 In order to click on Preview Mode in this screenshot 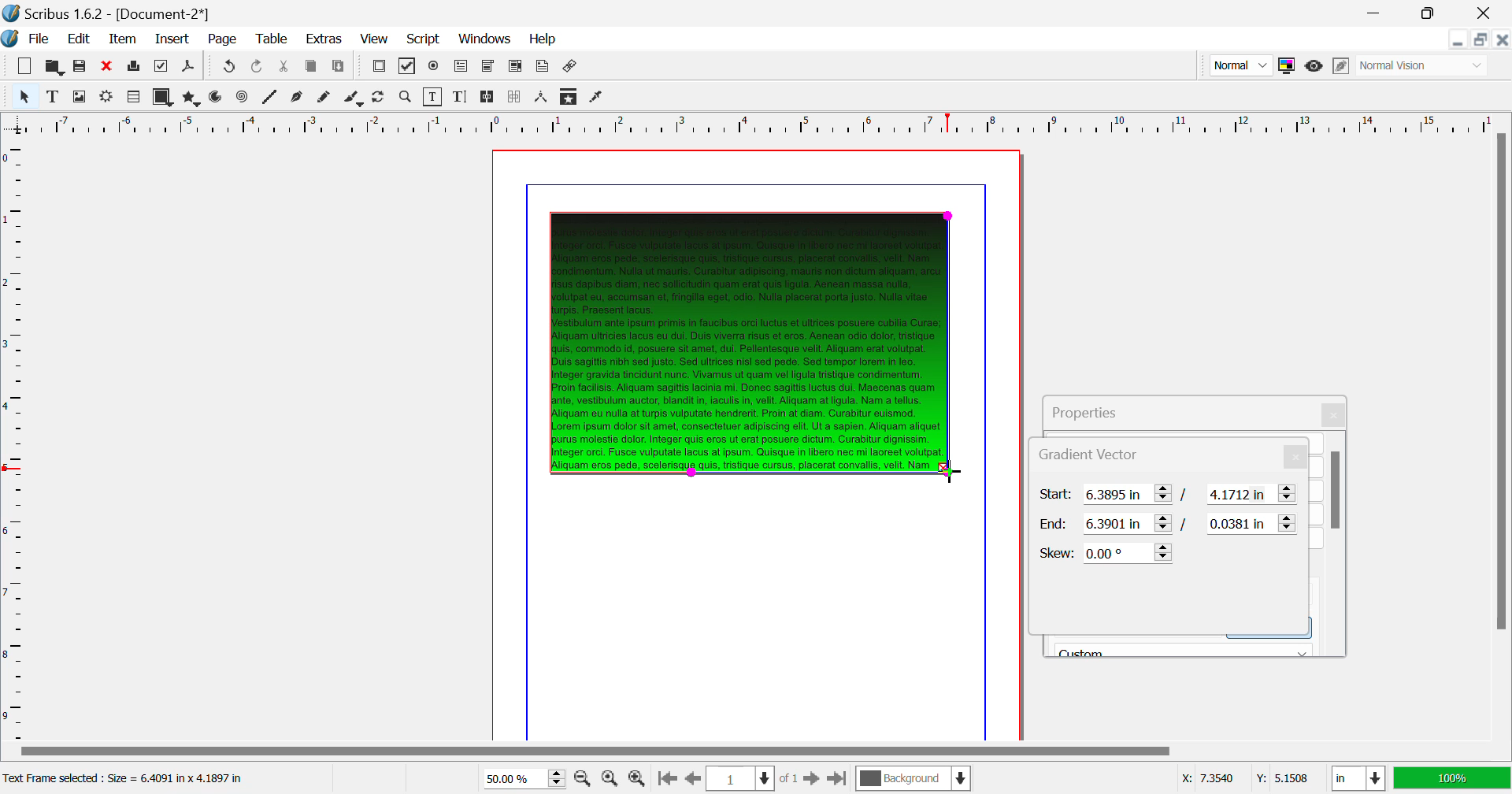, I will do `click(1240, 65)`.